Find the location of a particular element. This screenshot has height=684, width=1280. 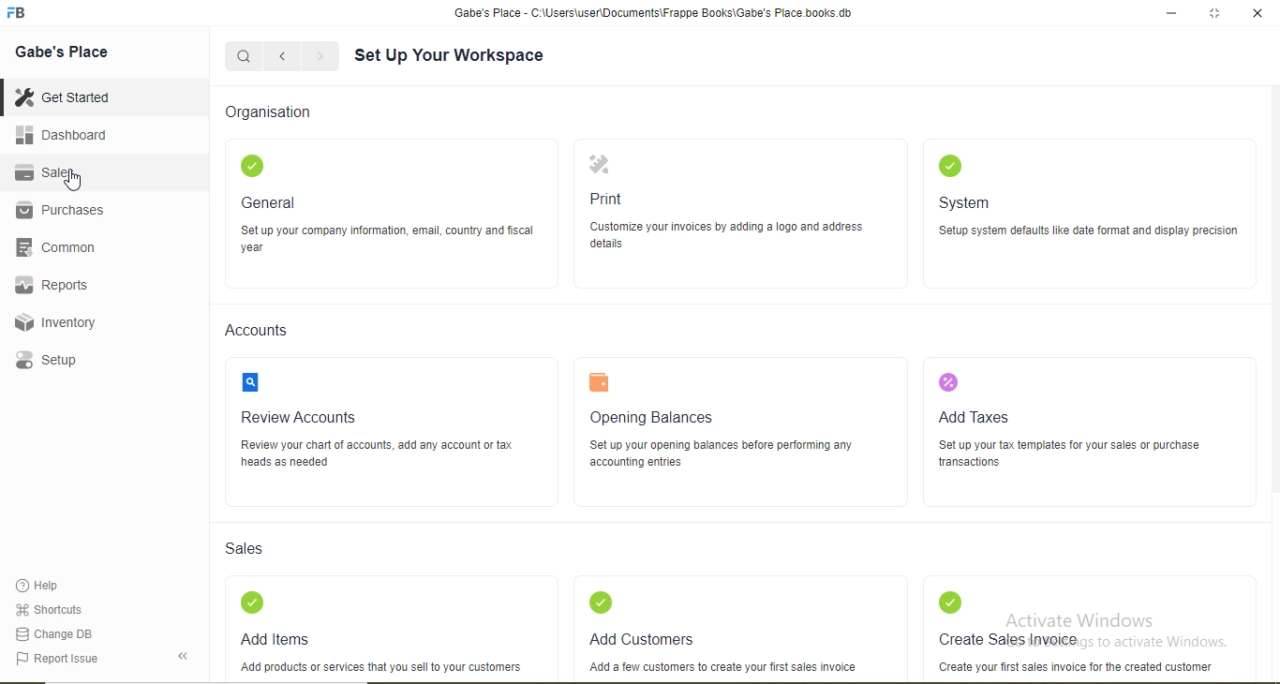

close is located at coordinates (1263, 13).